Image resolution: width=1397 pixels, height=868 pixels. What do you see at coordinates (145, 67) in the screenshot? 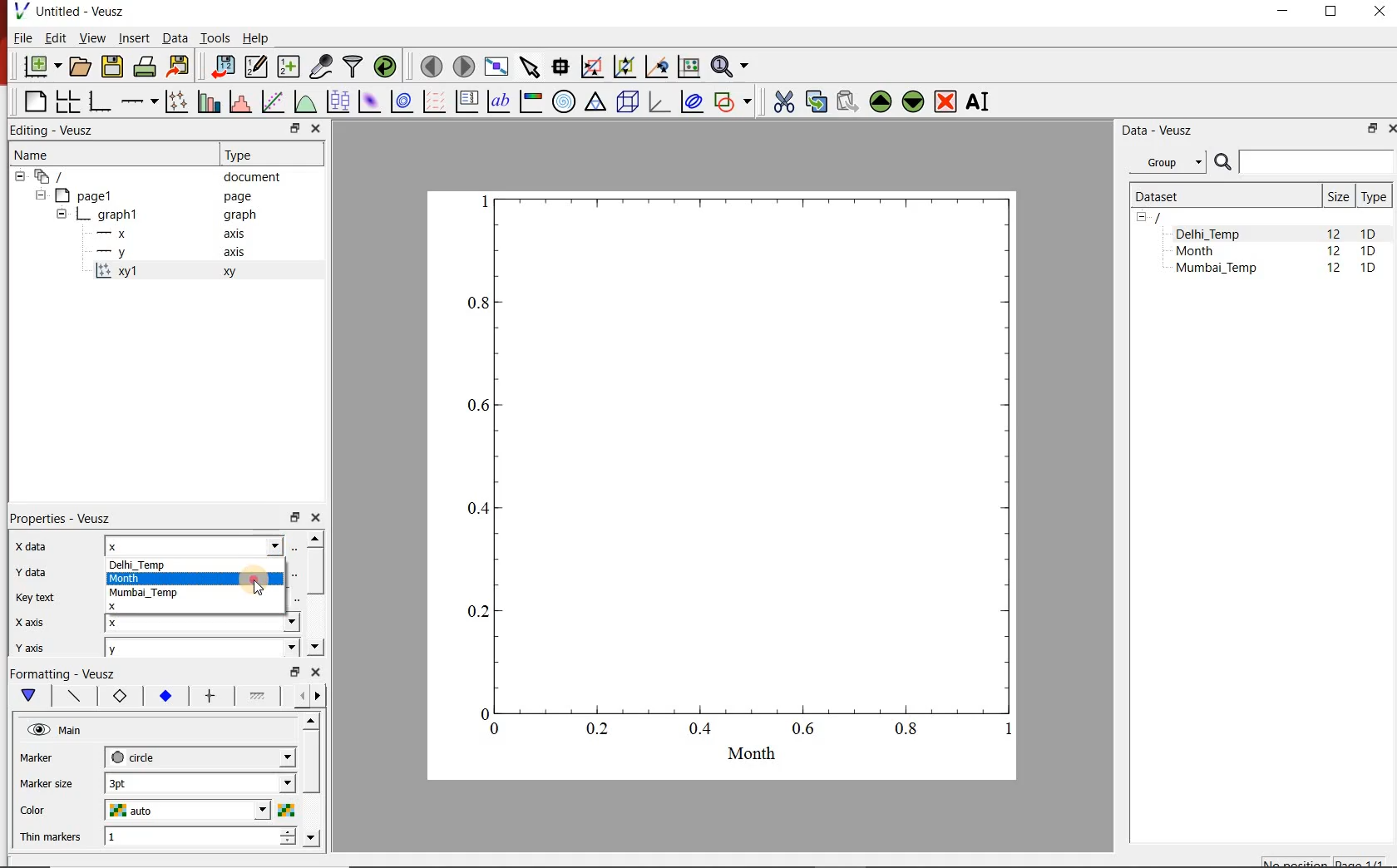
I see `print the document` at bounding box center [145, 67].